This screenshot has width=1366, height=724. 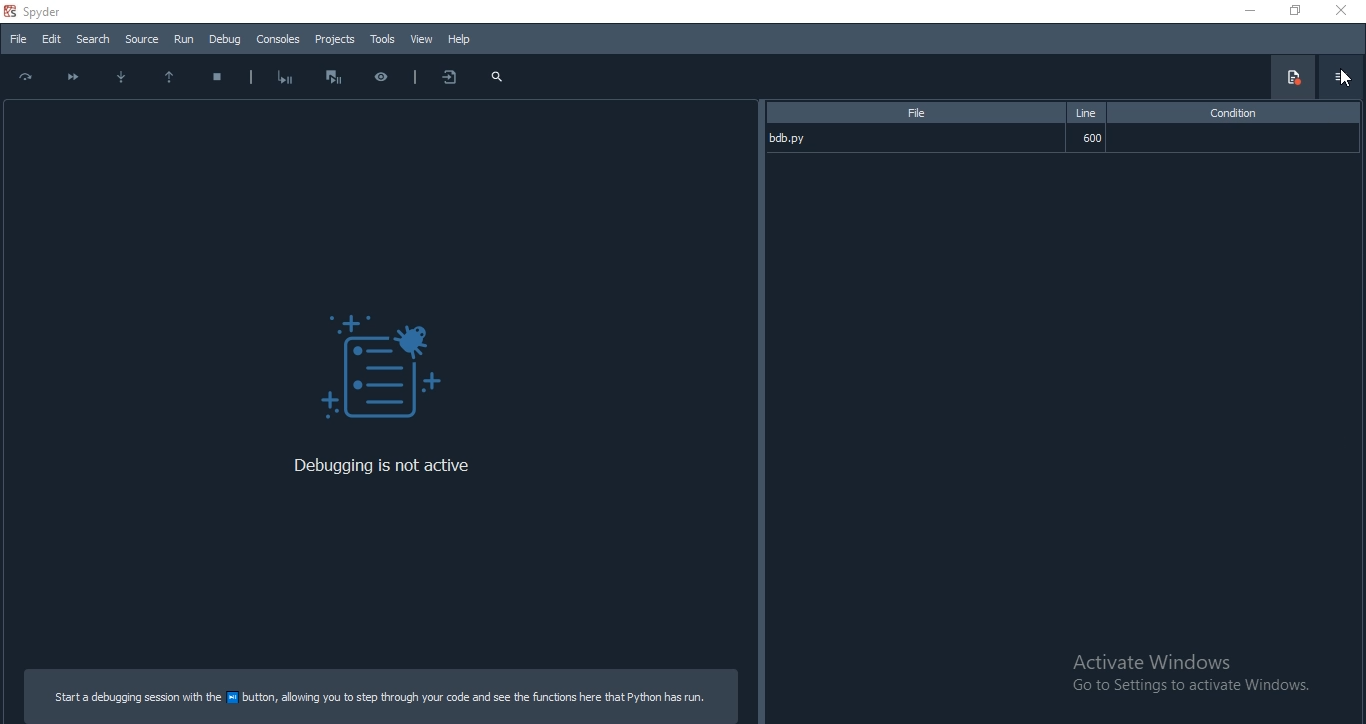 I want to click on View, so click(x=421, y=40).